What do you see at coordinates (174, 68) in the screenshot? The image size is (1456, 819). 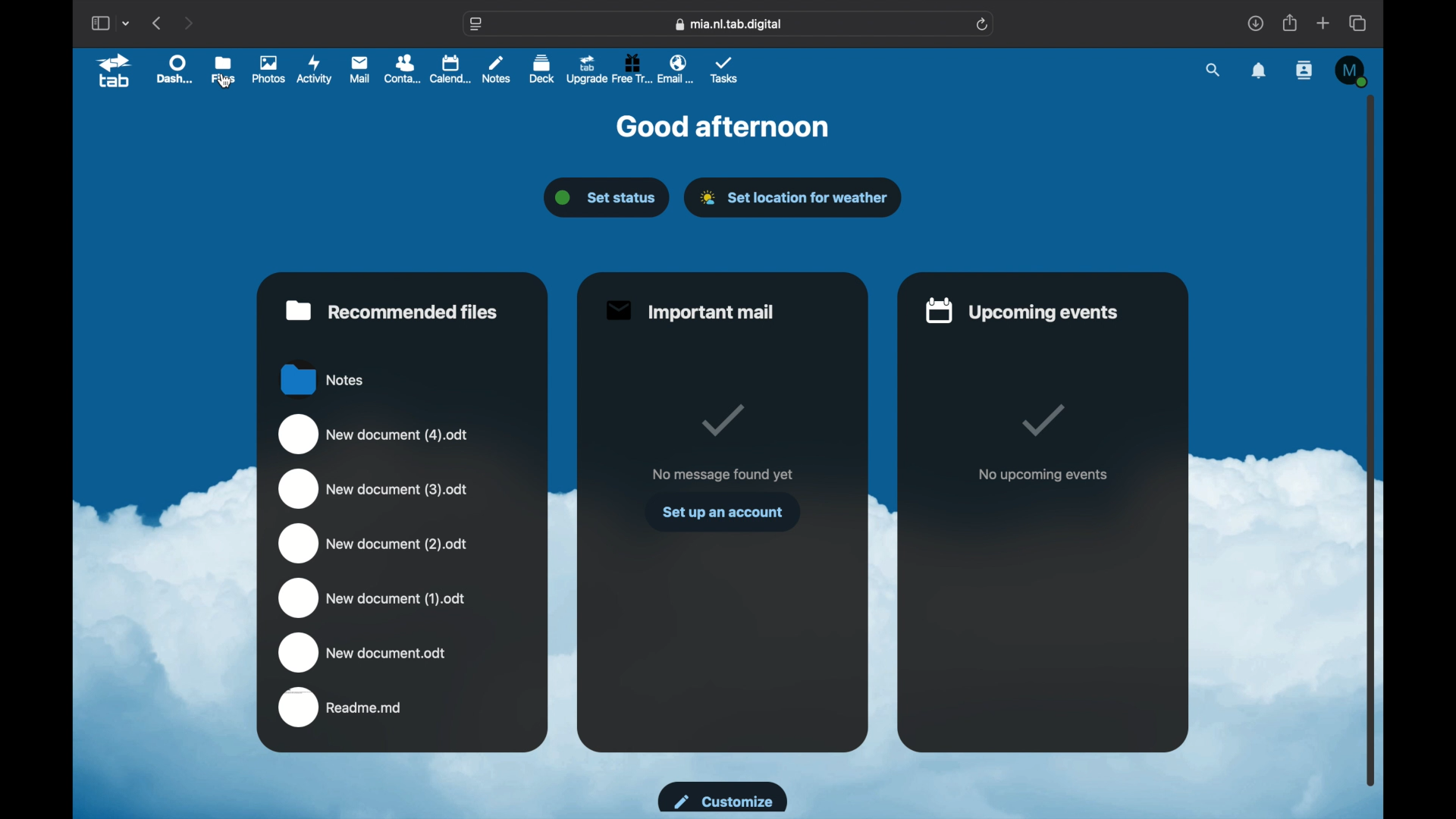 I see `dashboard` at bounding box center [174, 68].